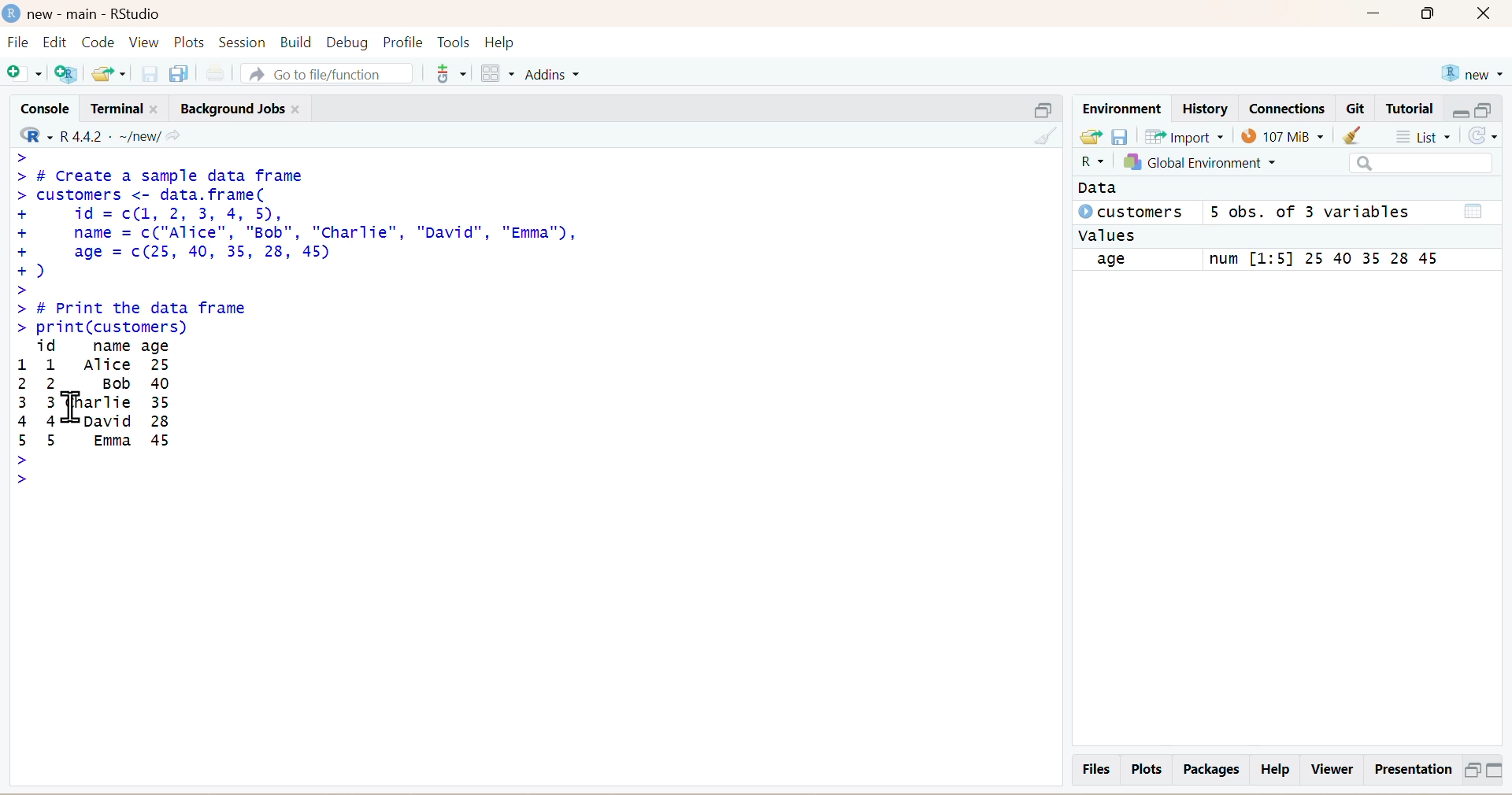 The image size is (1512, 795). Describe the element at coordinates (1428, 136) in the screenshot. I see `List` at that location.